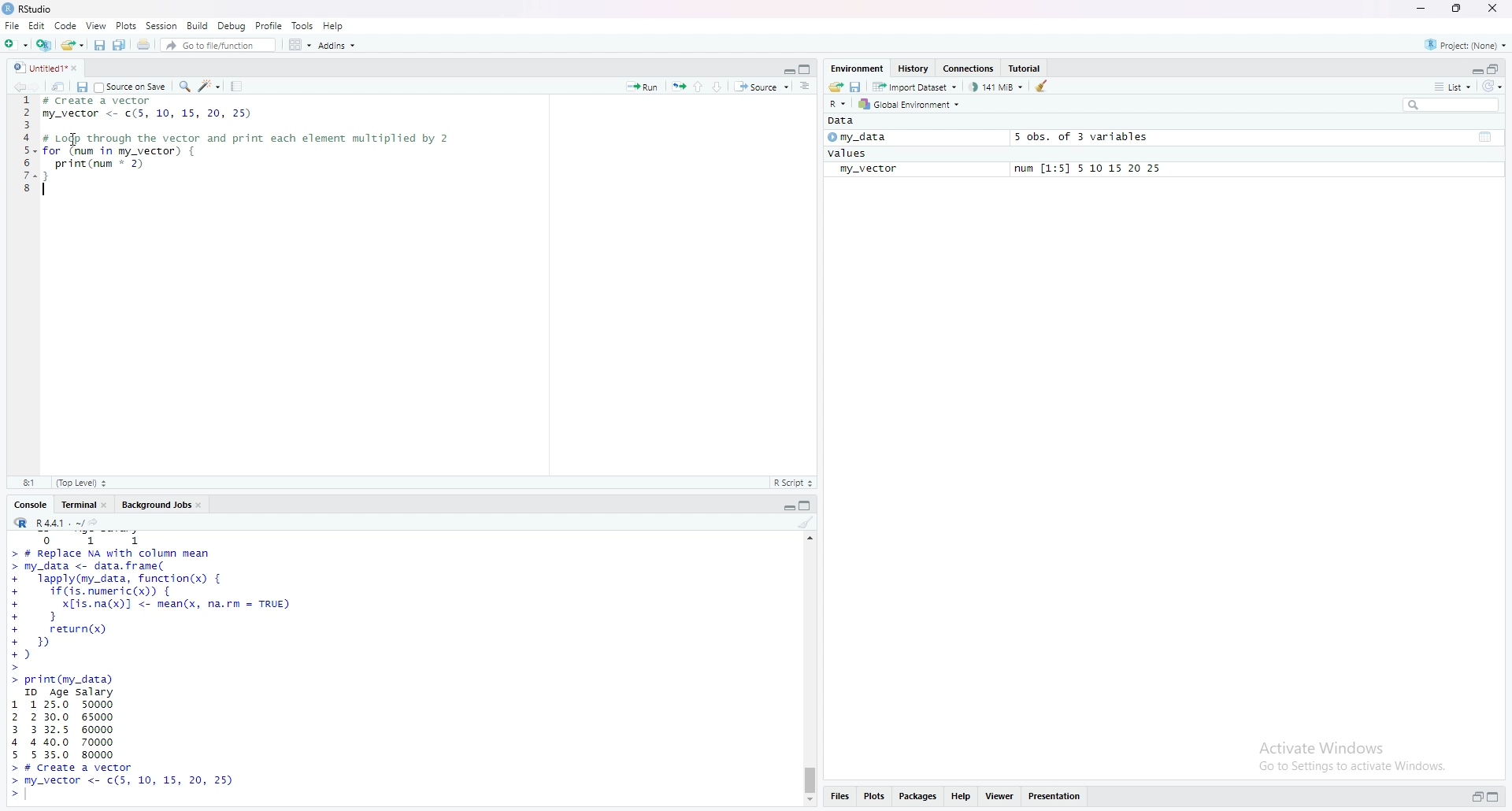  I want to click on File, so click(10, 26).